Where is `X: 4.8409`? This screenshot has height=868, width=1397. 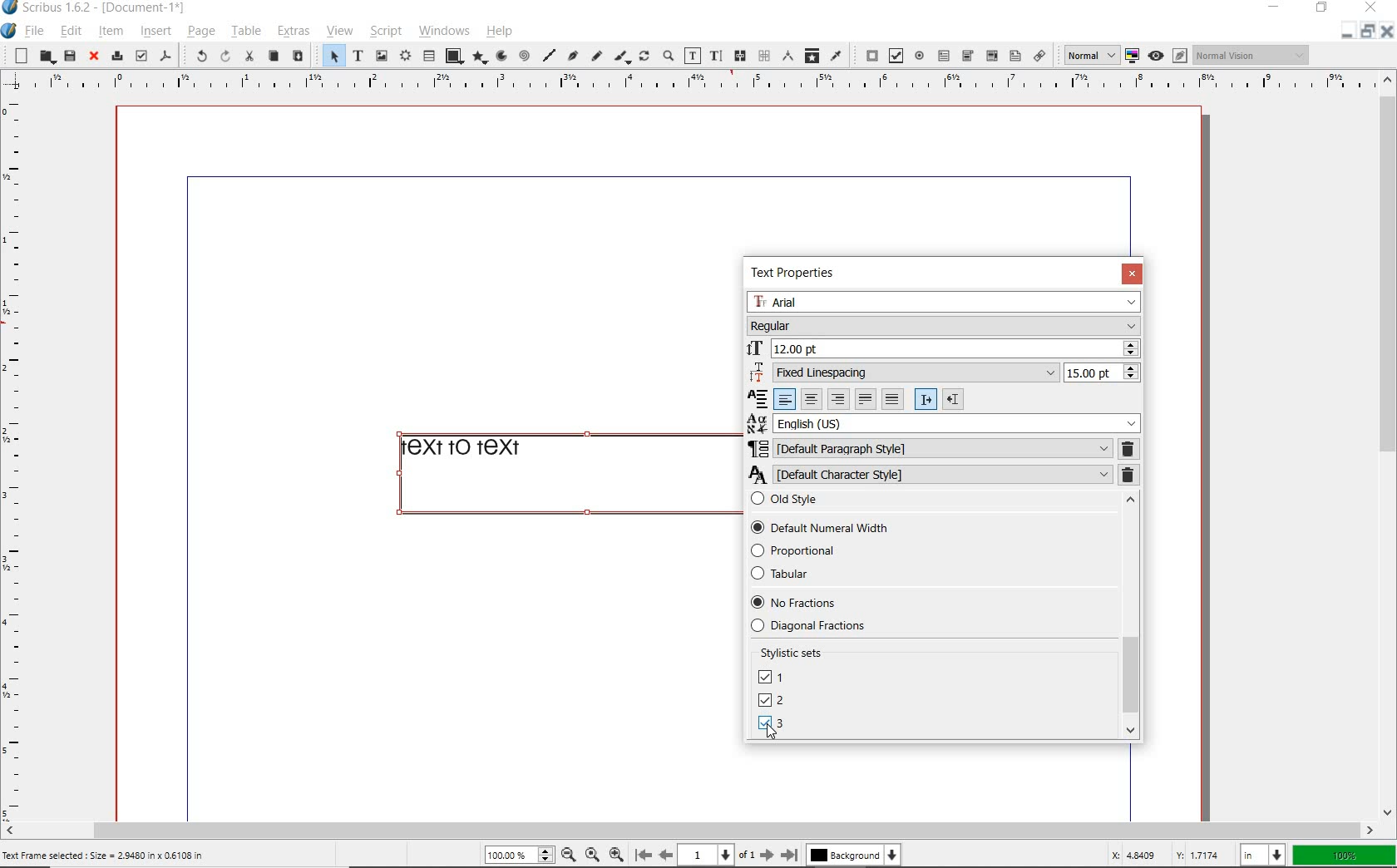
X: 4.8409 is located at coordinates (1137, 855).